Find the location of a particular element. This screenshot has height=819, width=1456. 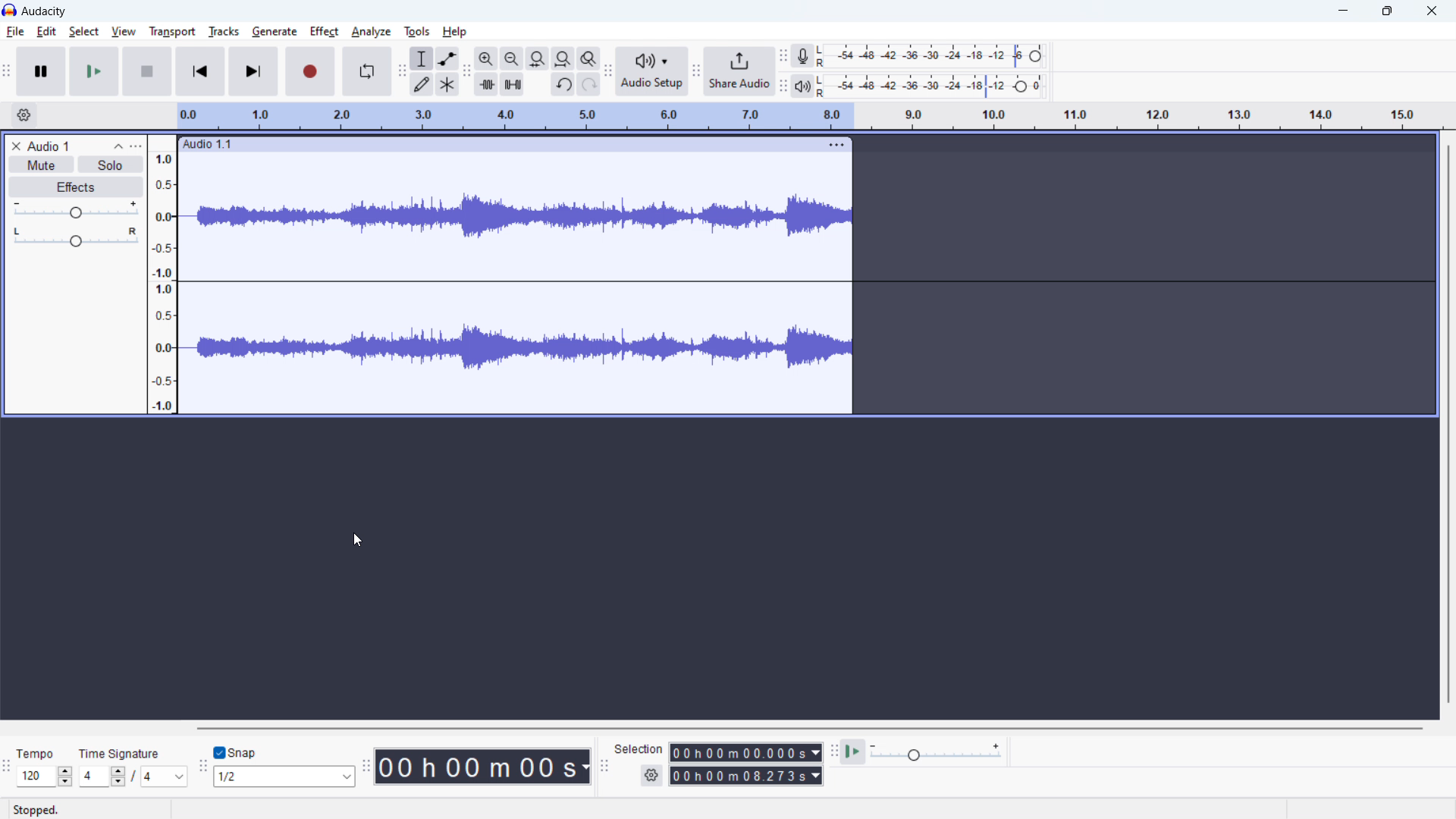

tempo is located at coordinates (44, 776).